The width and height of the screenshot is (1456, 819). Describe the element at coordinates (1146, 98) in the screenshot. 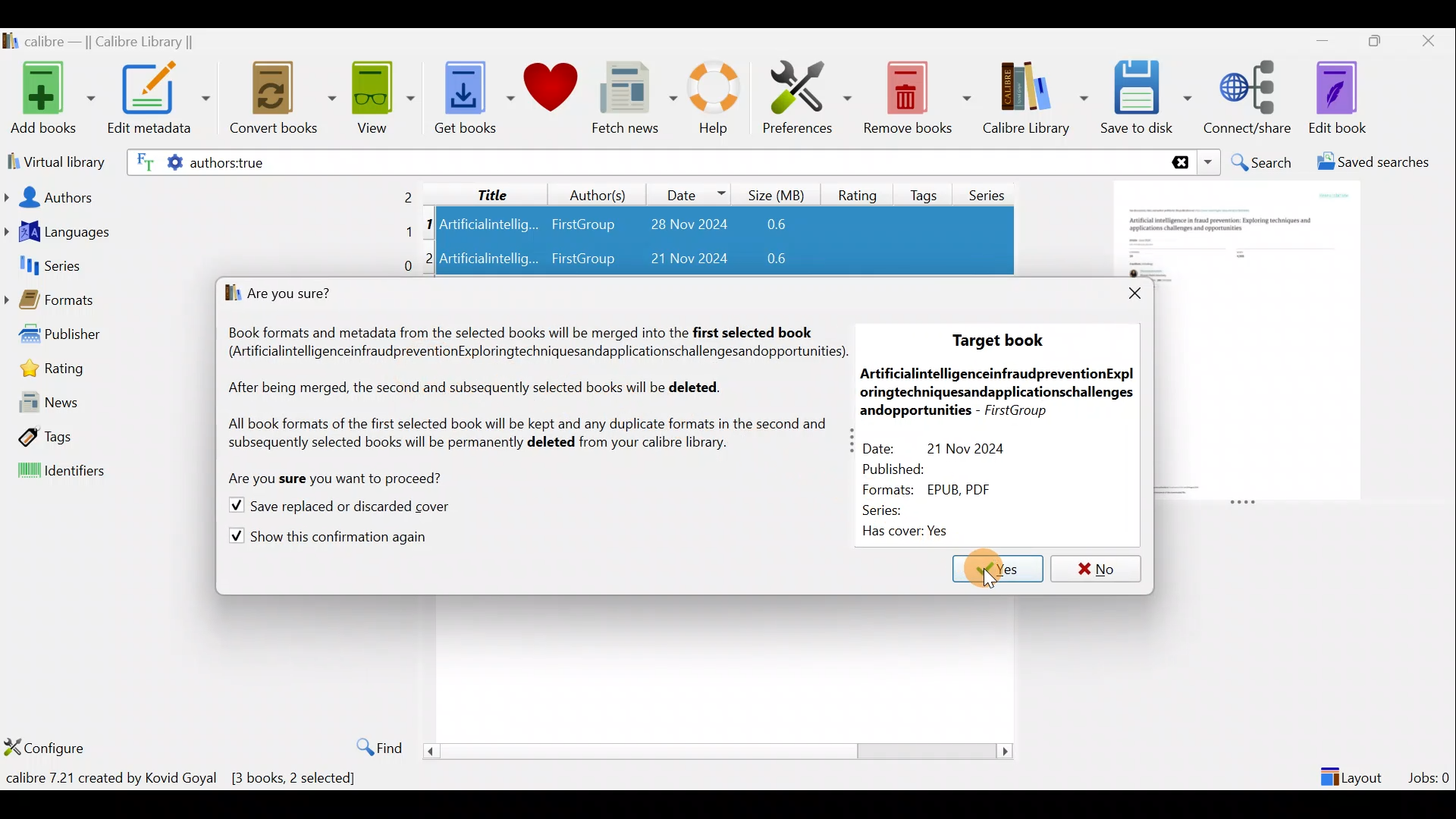

I see `Save to disk` at that location.